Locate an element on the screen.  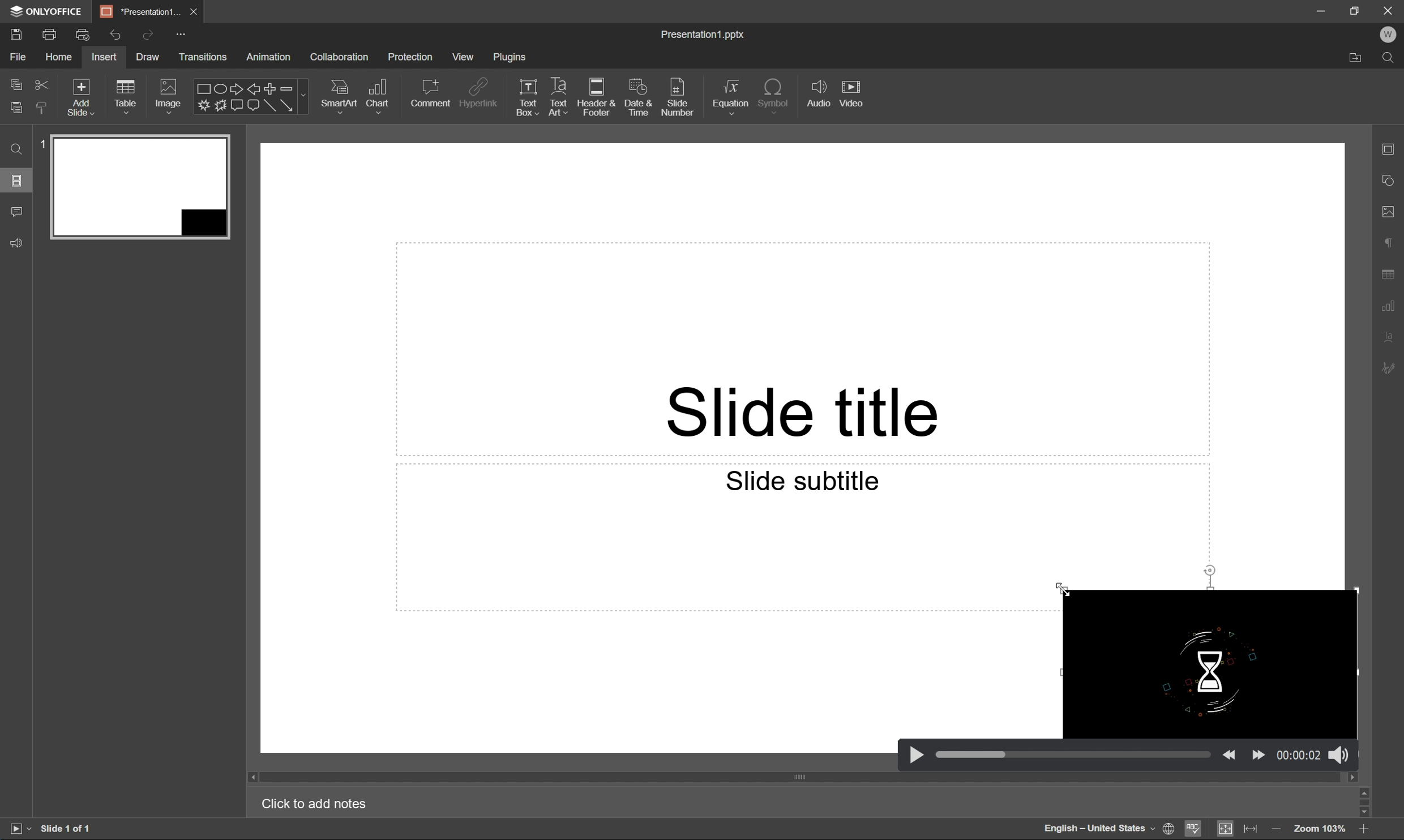
image settings is located at coordinates (1392, 211).